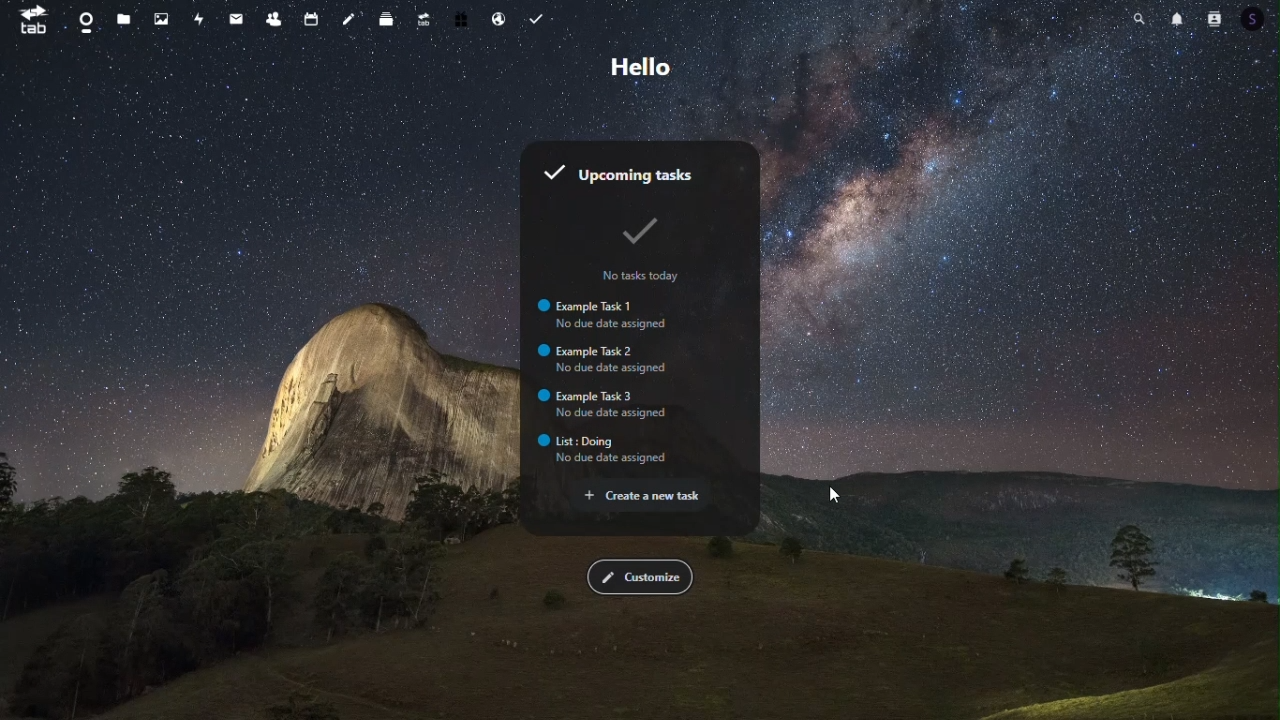  Describe the element at coordinates (457, 17) in the screenshot. I see `free trail` at that location.